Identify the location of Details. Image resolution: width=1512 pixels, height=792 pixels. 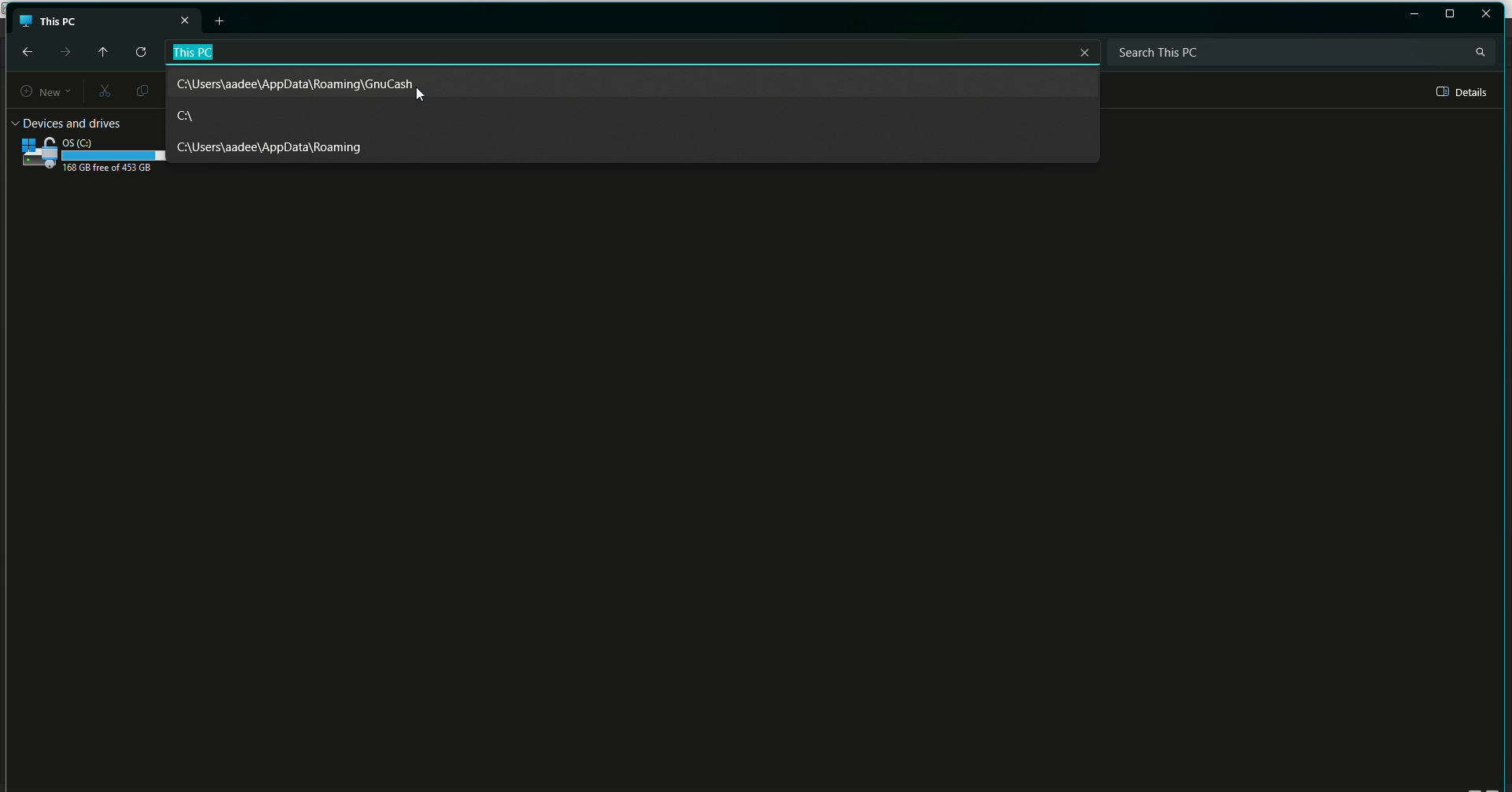
(1463, 92).